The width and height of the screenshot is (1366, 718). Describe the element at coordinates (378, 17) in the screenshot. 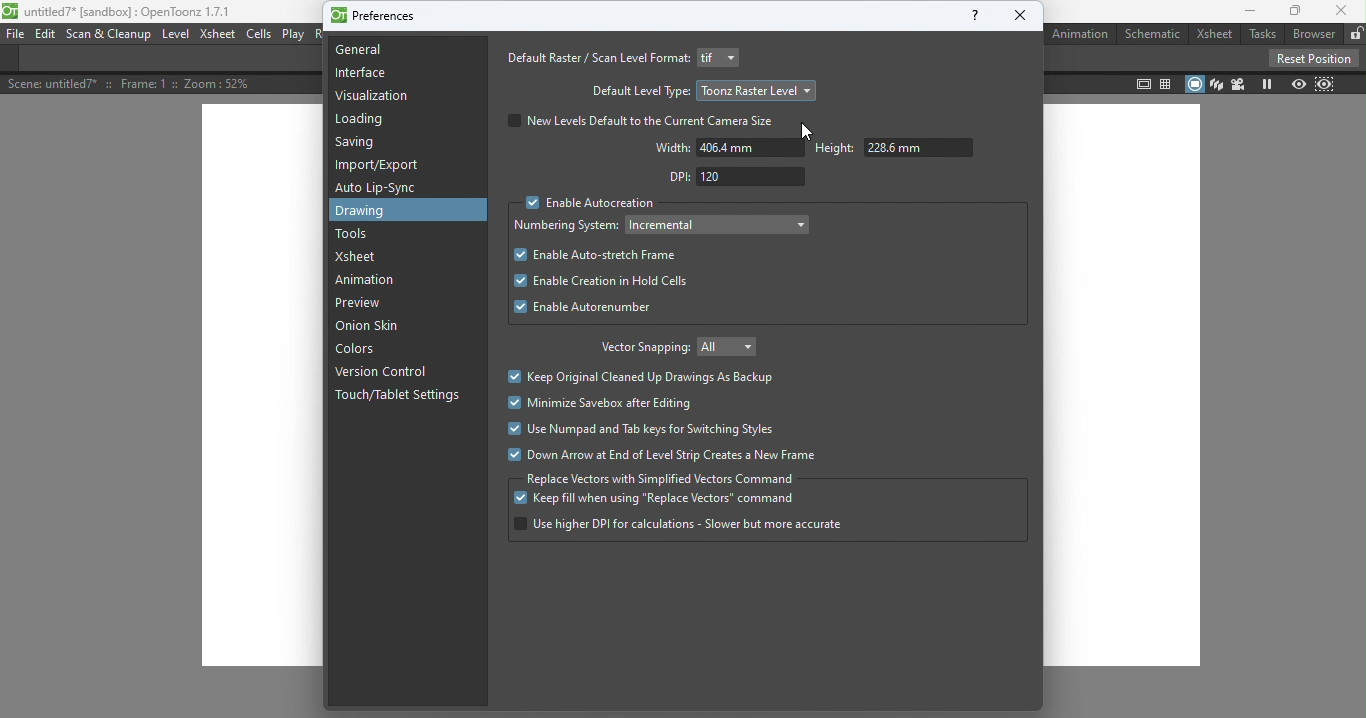

I see `Preferences` at that location.